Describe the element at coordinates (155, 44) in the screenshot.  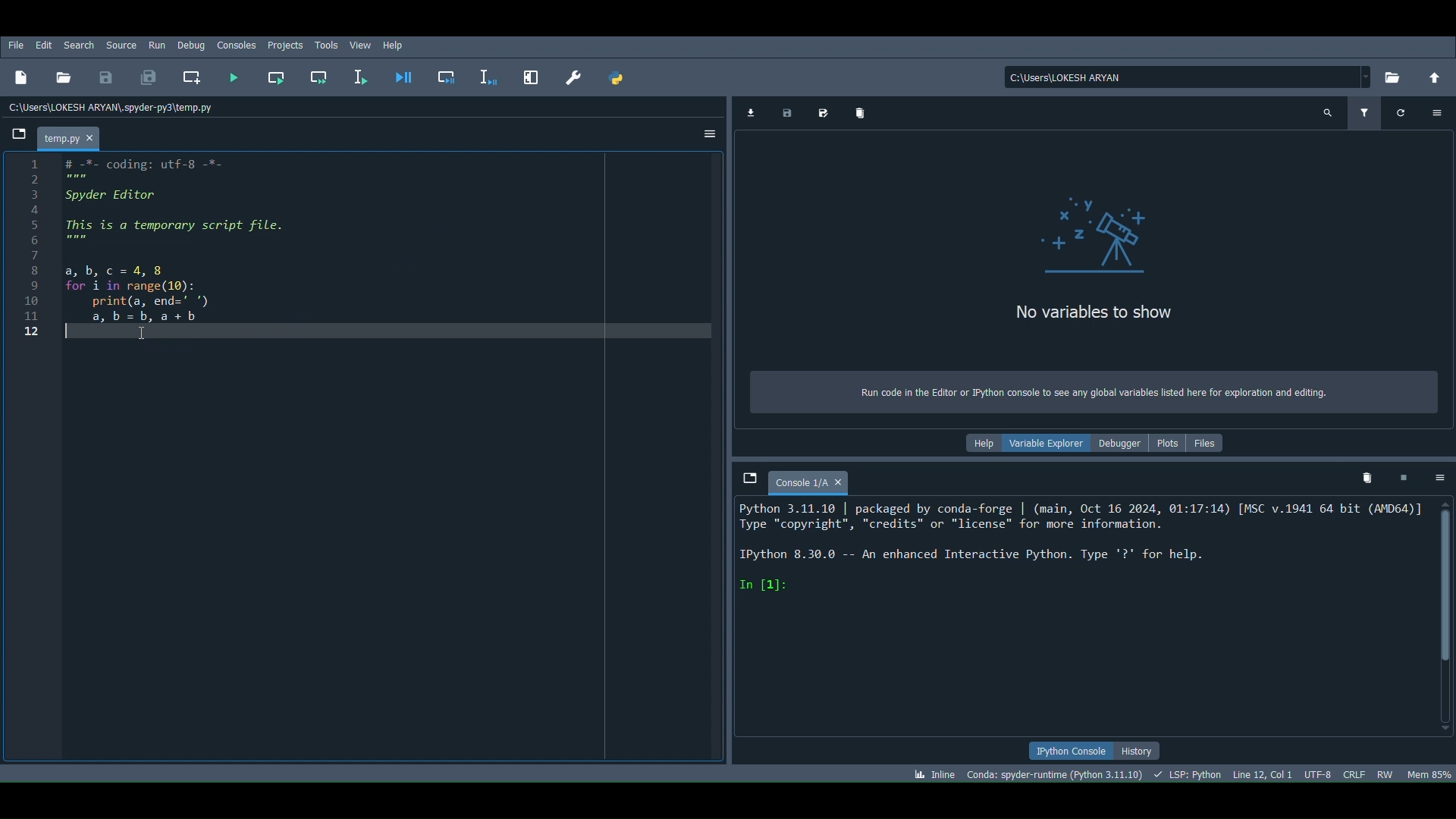
I see `Run` at that location.